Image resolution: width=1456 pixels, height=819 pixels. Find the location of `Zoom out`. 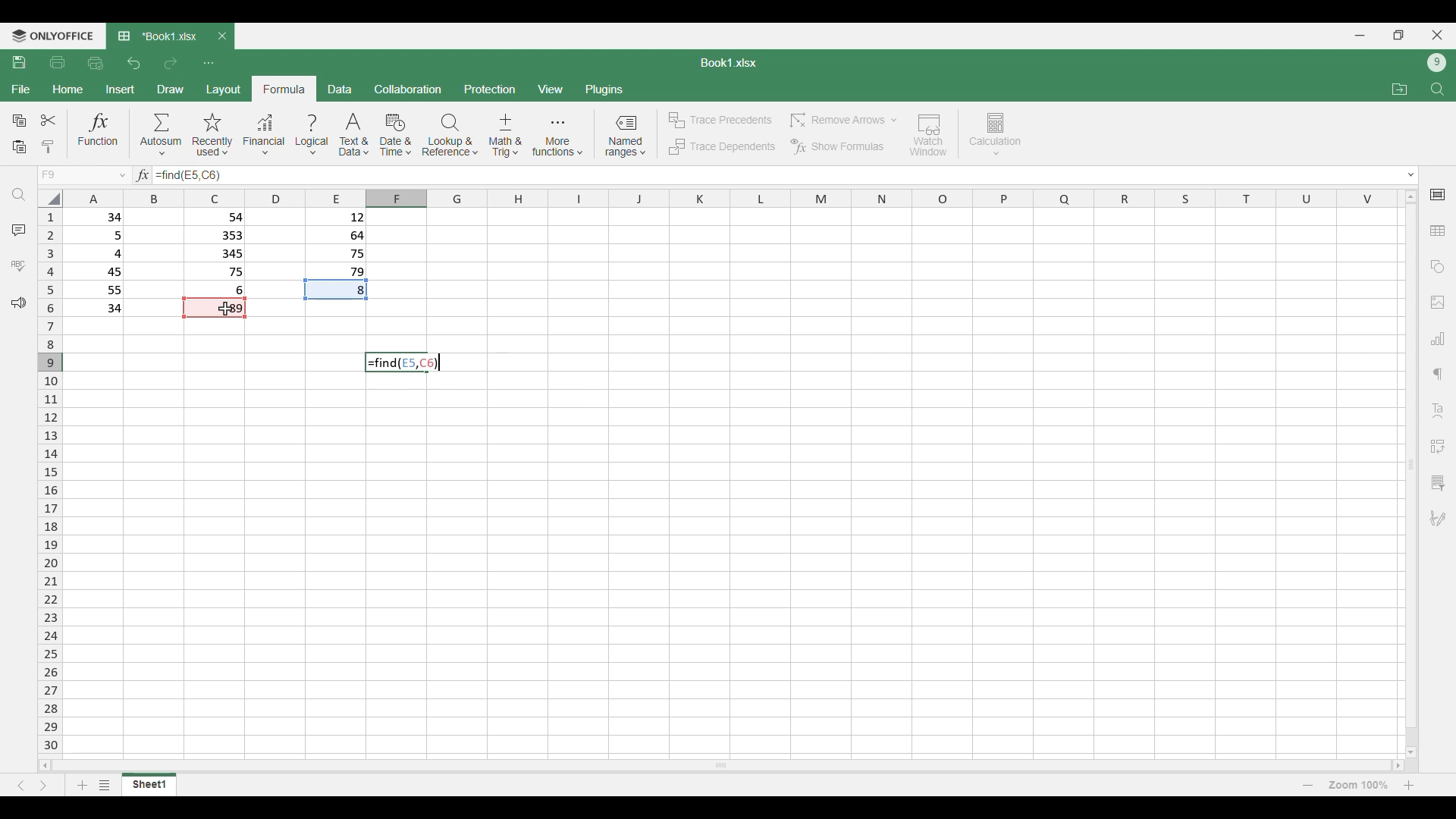

Zoom out is located at coordinates (1308, 785).